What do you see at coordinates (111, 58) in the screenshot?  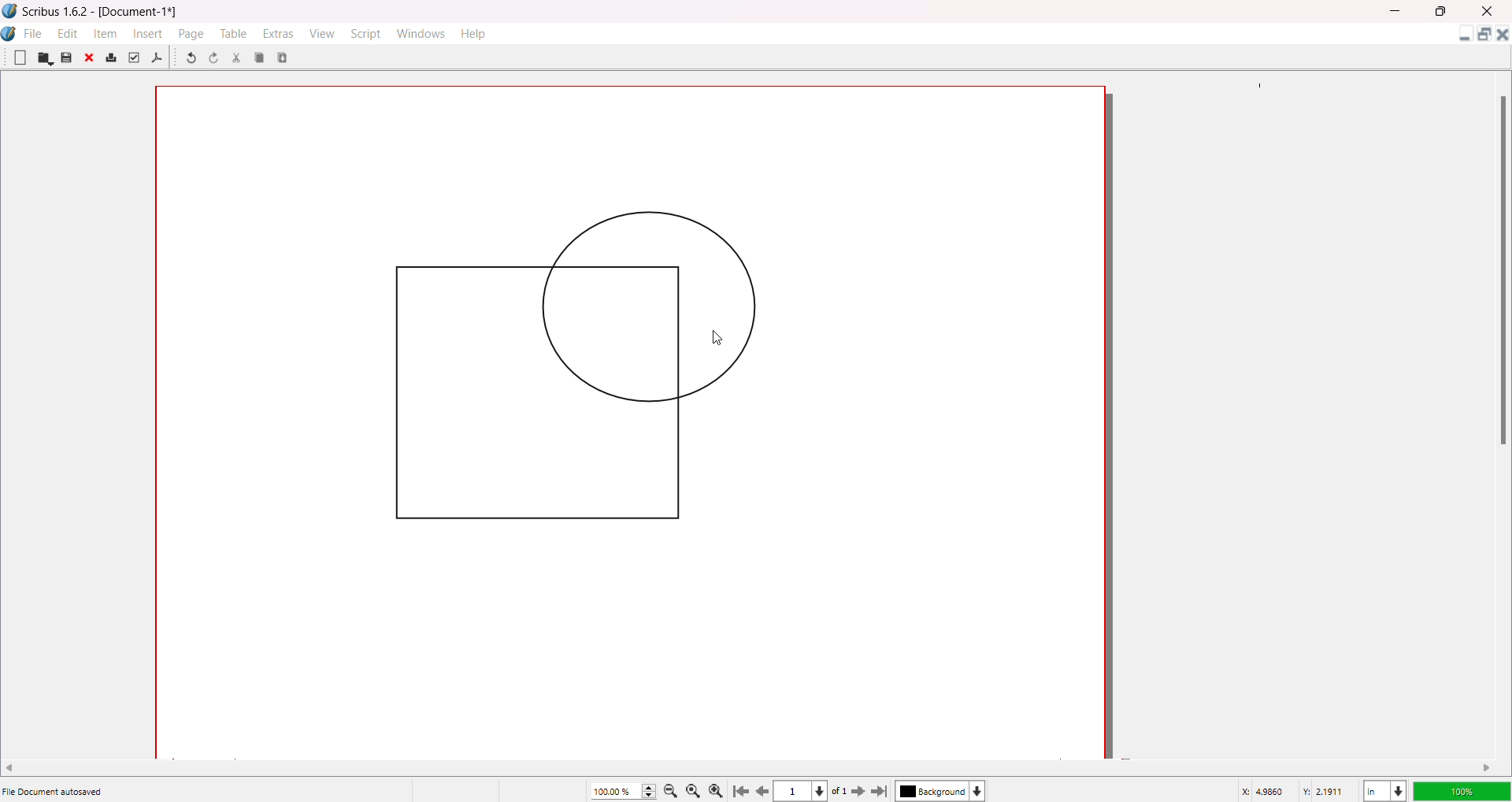 I see `Print` at bounding box center [111, 58].